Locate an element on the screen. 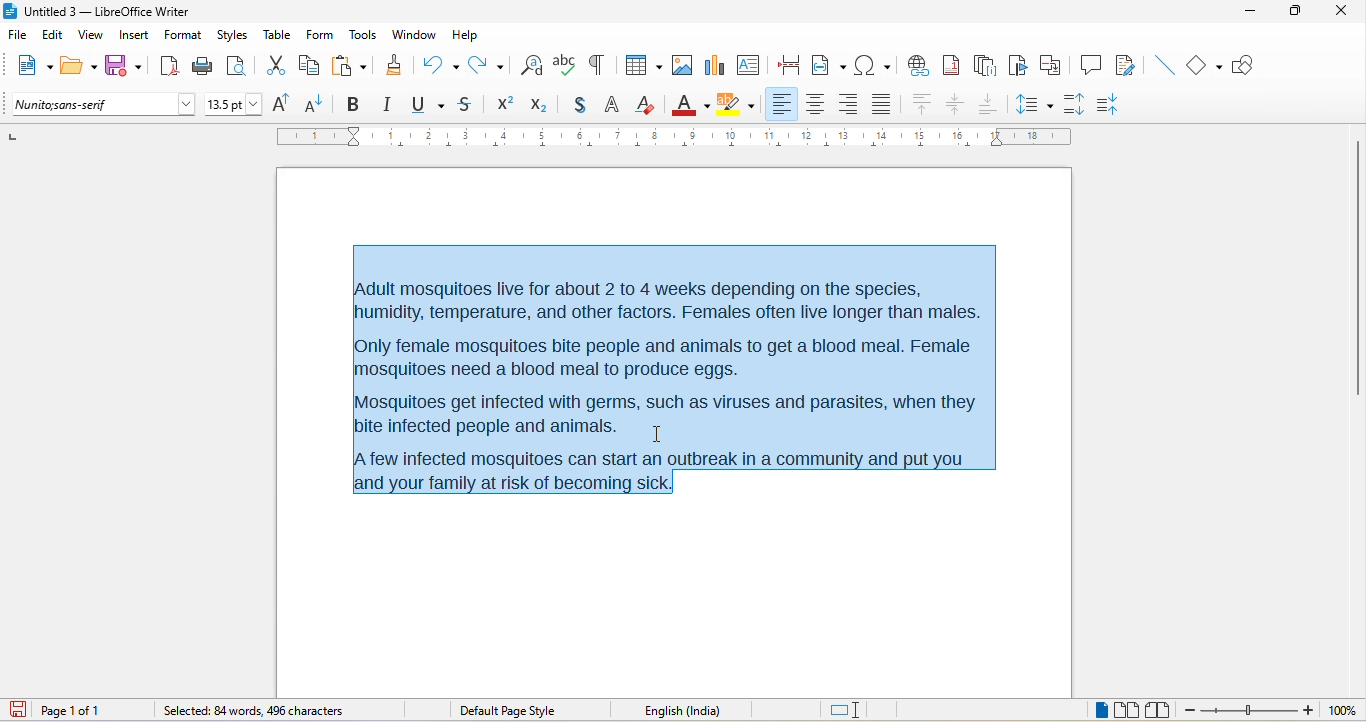 The image size is (1366, 722). vertical scroll bar is located at coordinates (1357, 270).